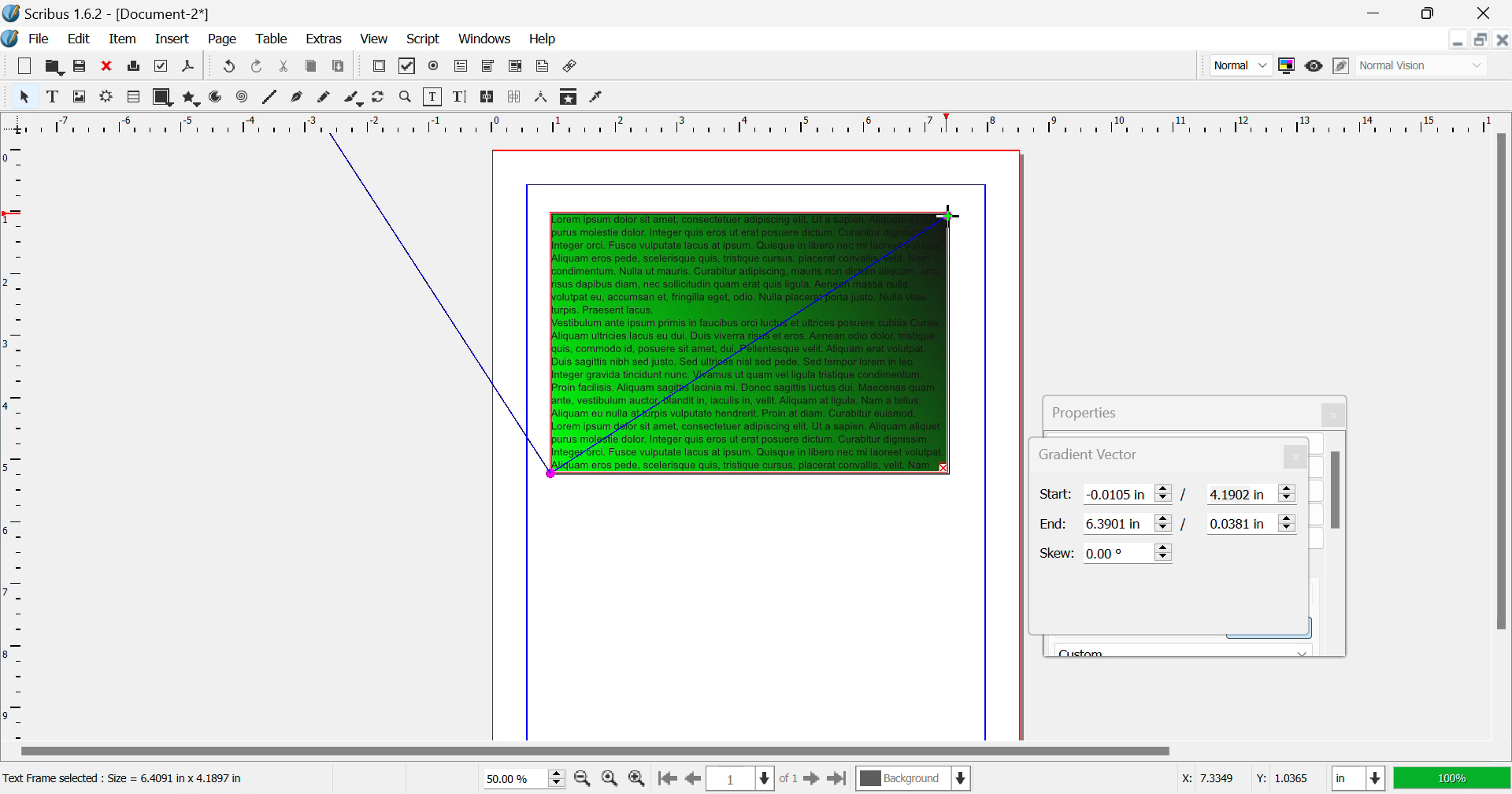  Describe the element at coordinates (691, 779) in the screenshot. I see `Previous Page` at that location.